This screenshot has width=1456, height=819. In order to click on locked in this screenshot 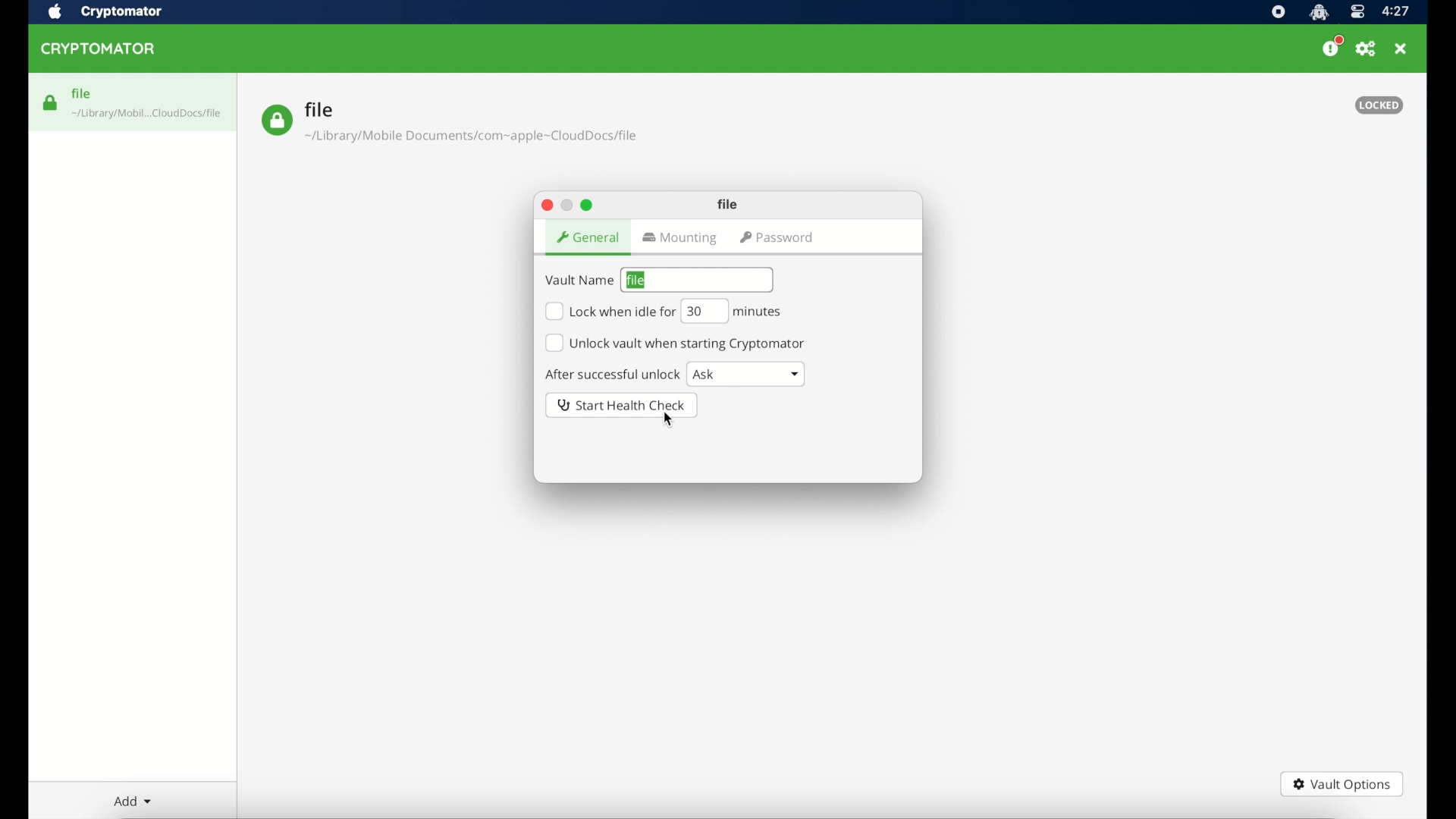, I will do `click(1379, 105)`.